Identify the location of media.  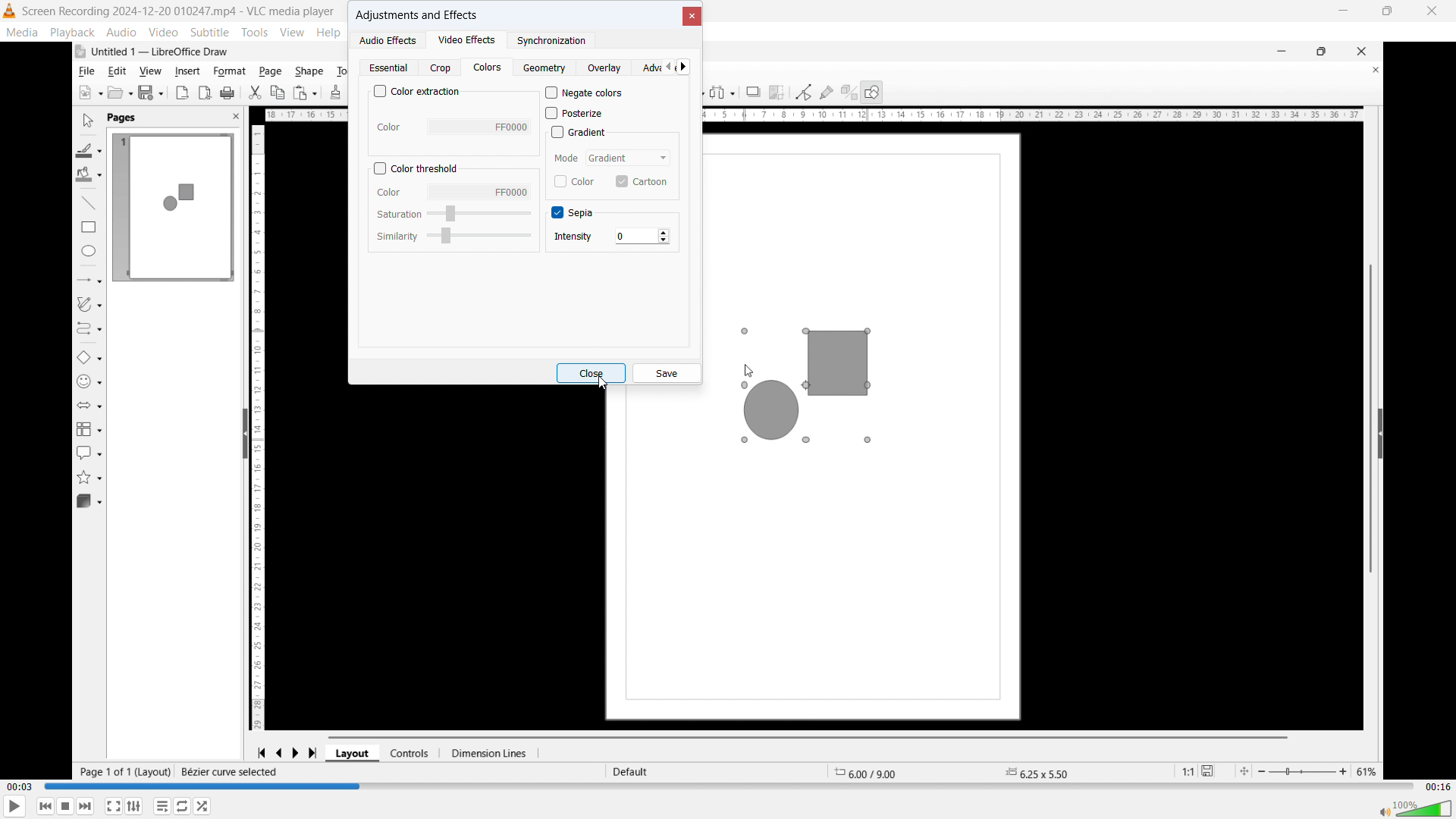
(22, 31).